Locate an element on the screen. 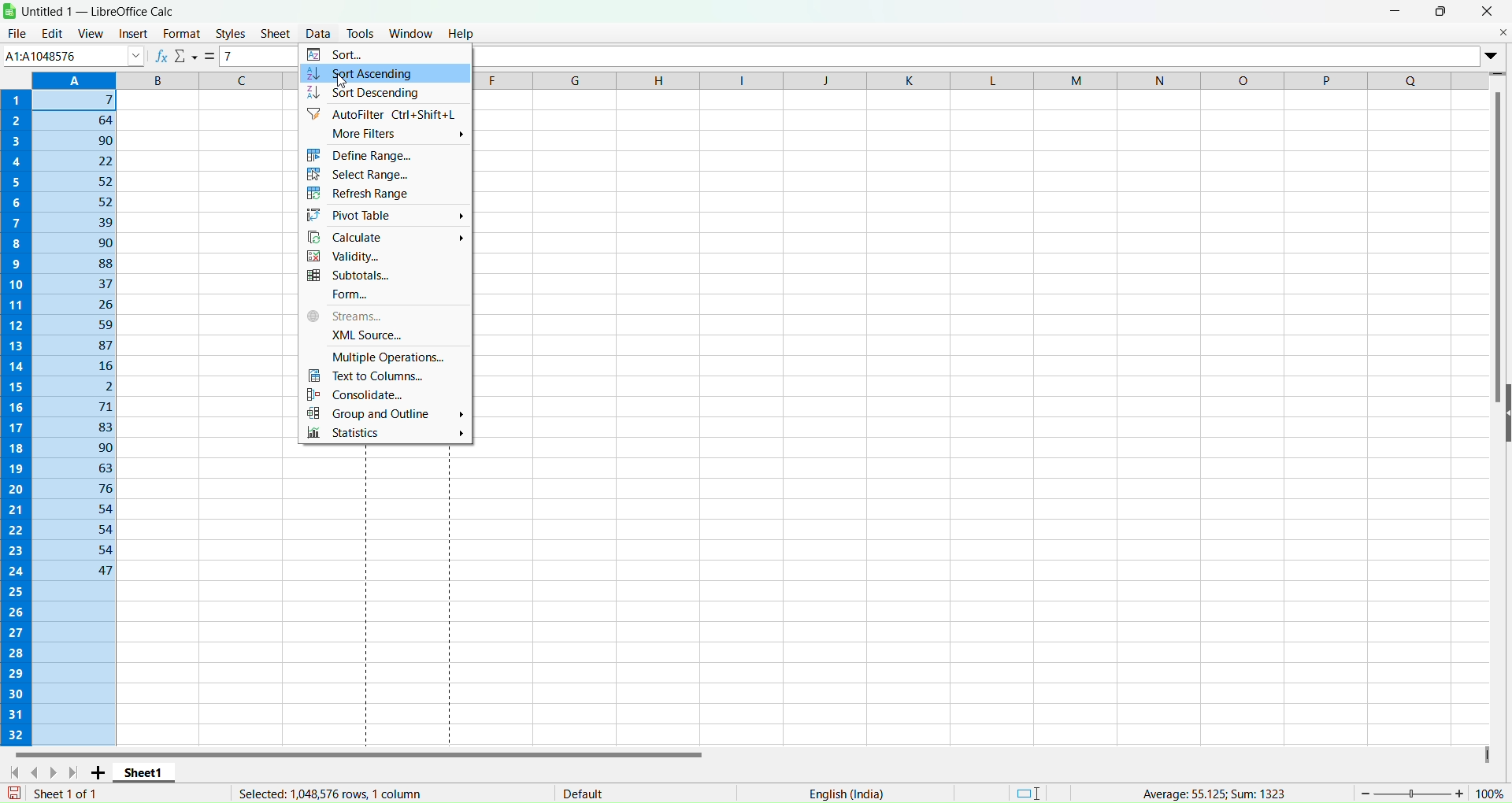 This screenshot has width=1512, height=803. Help is located at coordinates (462, 32).